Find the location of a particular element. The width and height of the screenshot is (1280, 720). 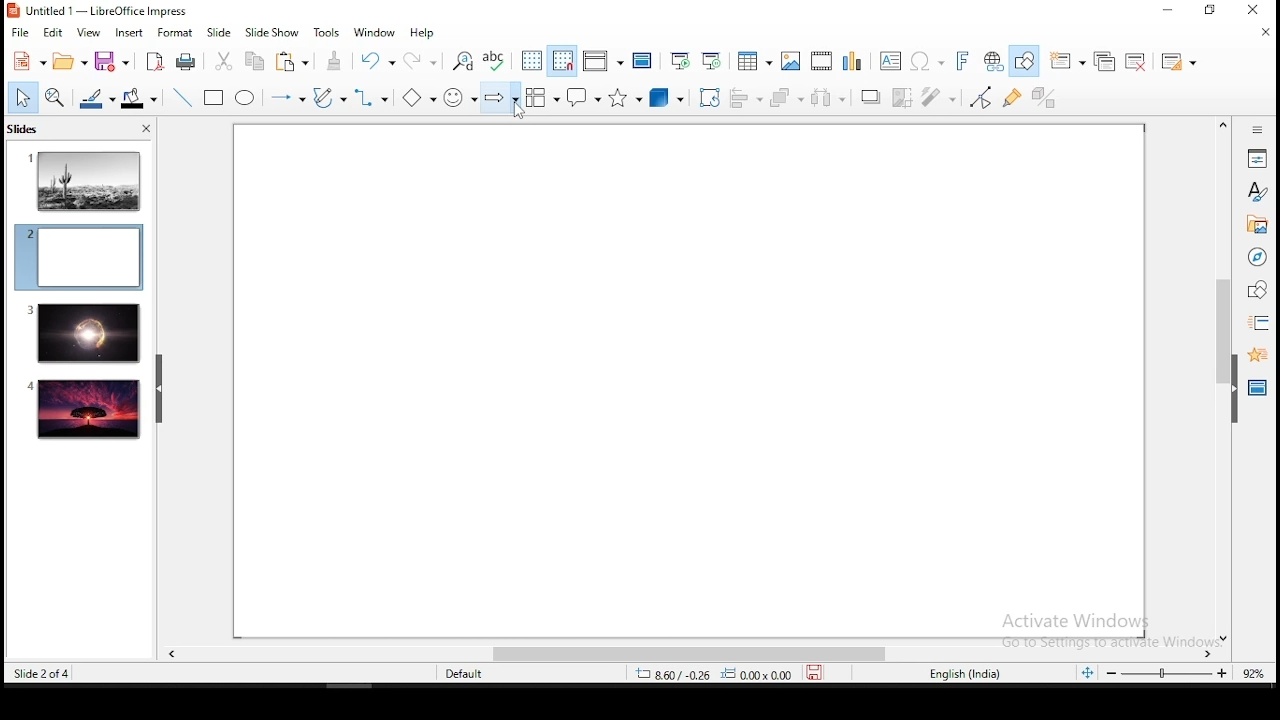

line is located at coordinates (180, 98).